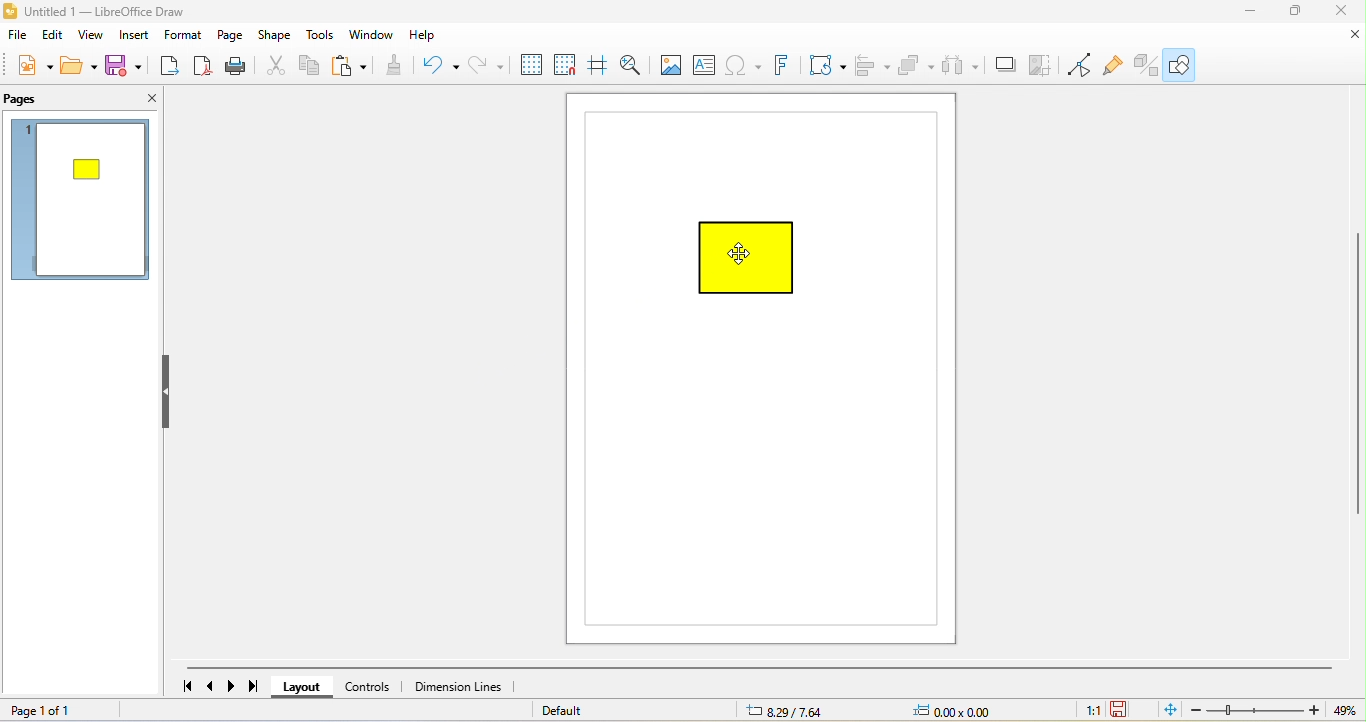 Image resolution: width=1366 pixels, height=722 pixels. Describe the element at coordinates (770, 667) in the screenshot. I see `horizontal scroll bar` at that location.